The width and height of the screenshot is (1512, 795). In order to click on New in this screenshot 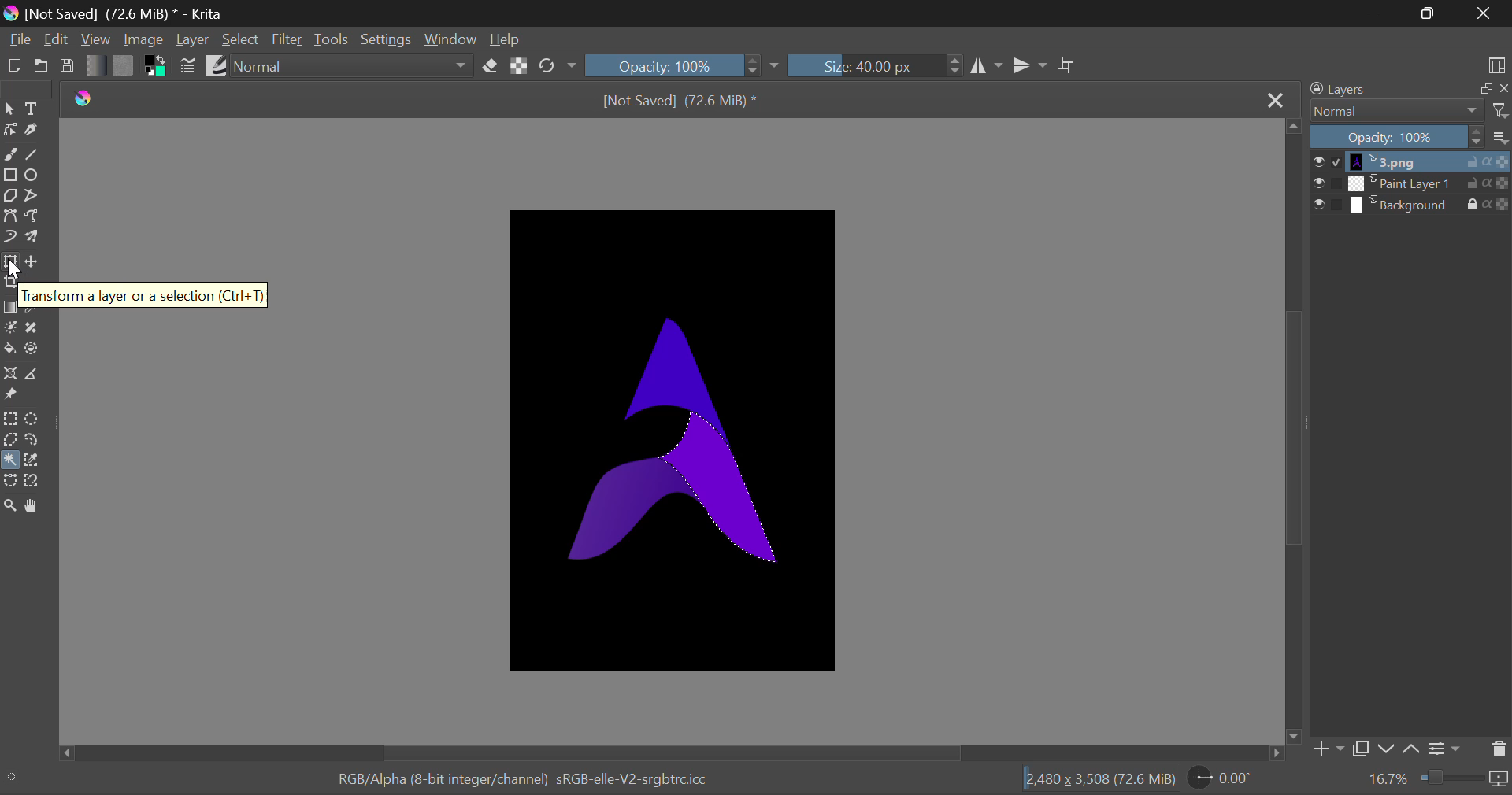, I will do `click(14, 66)`.